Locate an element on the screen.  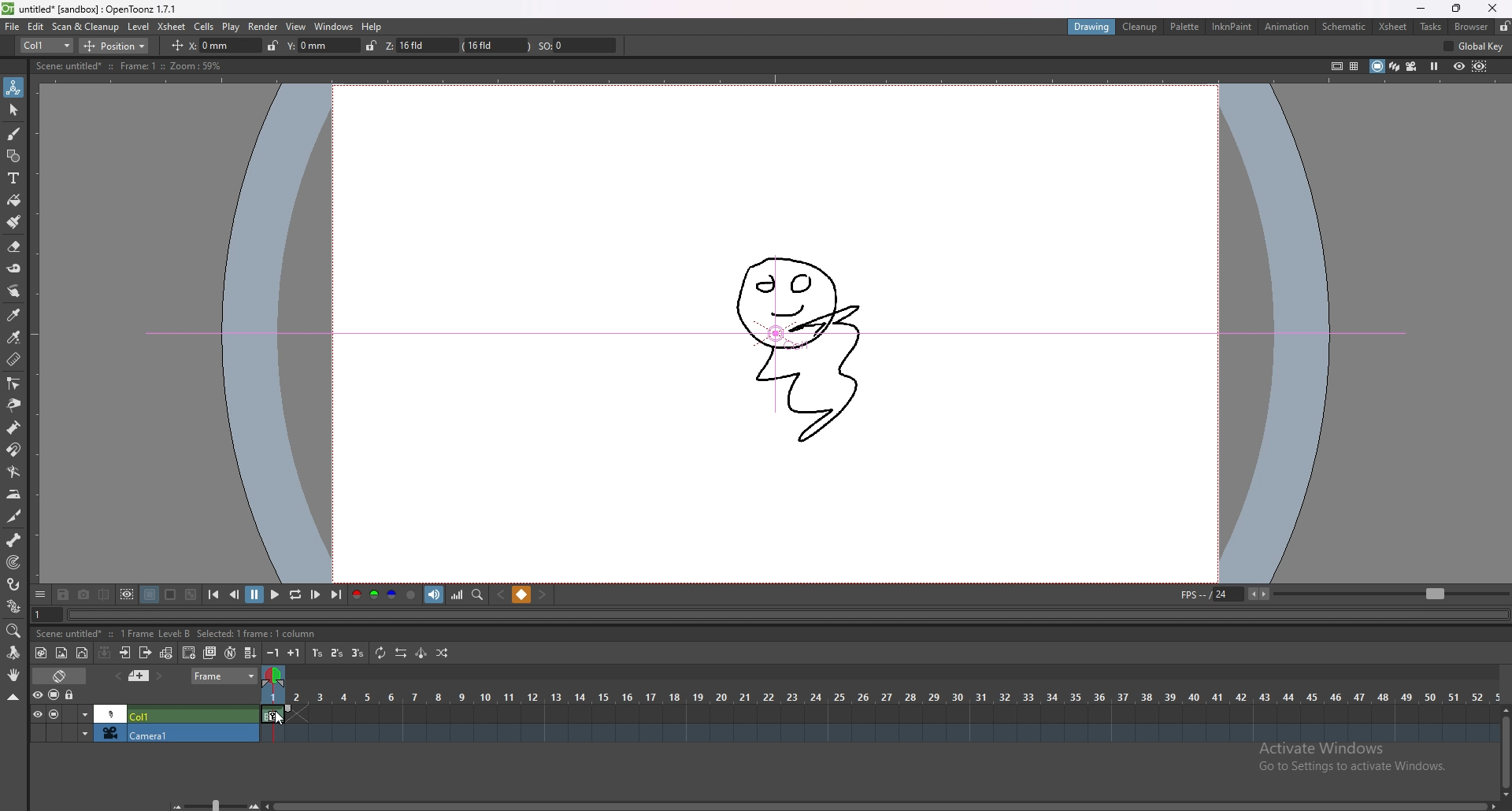
selected frame is located at coordinates (277, 712).